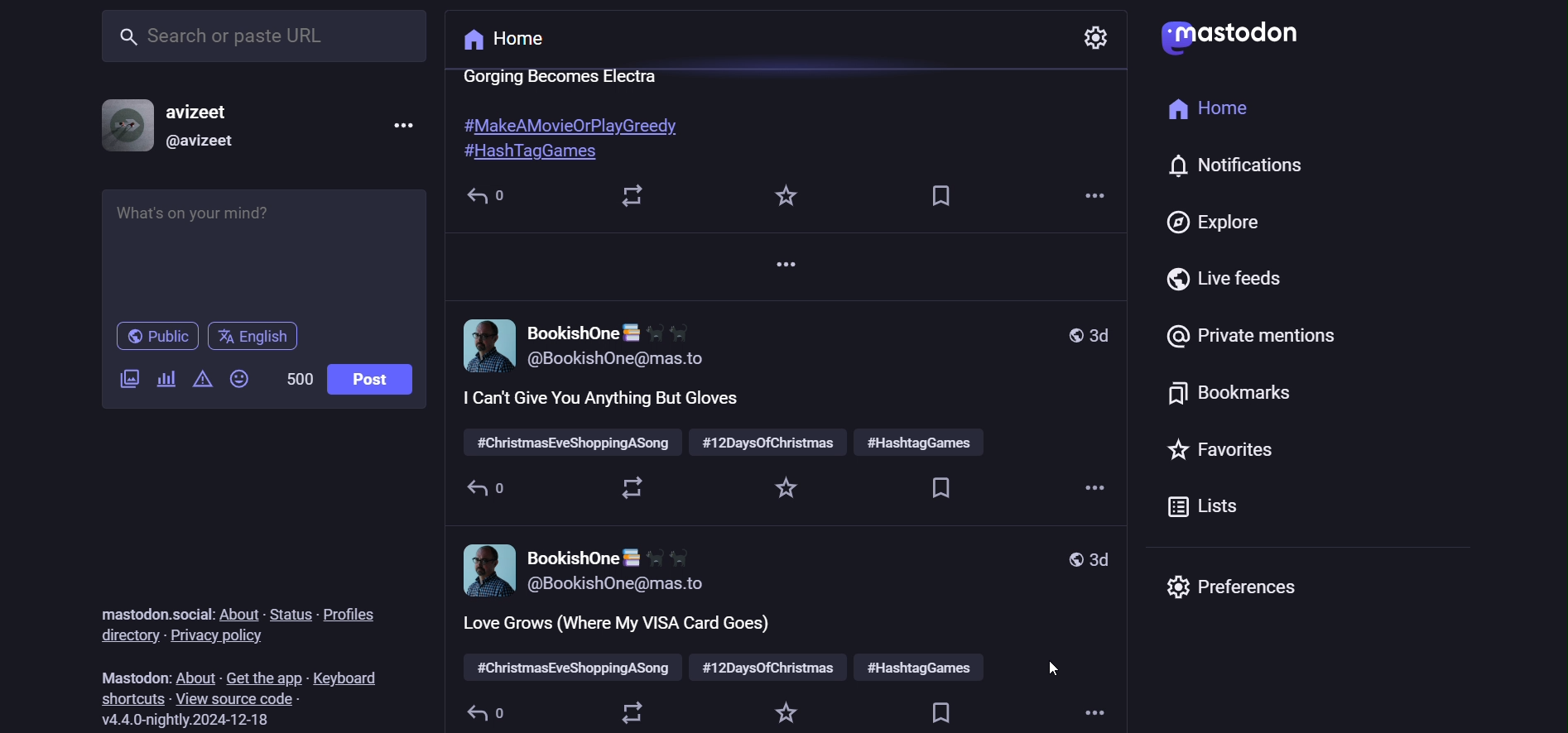 This screenshot has width=1568, height=733. What do you see at coordinates (346, 677) in the screenshot?
I see `keyboard` at bounding box center [346, 677].